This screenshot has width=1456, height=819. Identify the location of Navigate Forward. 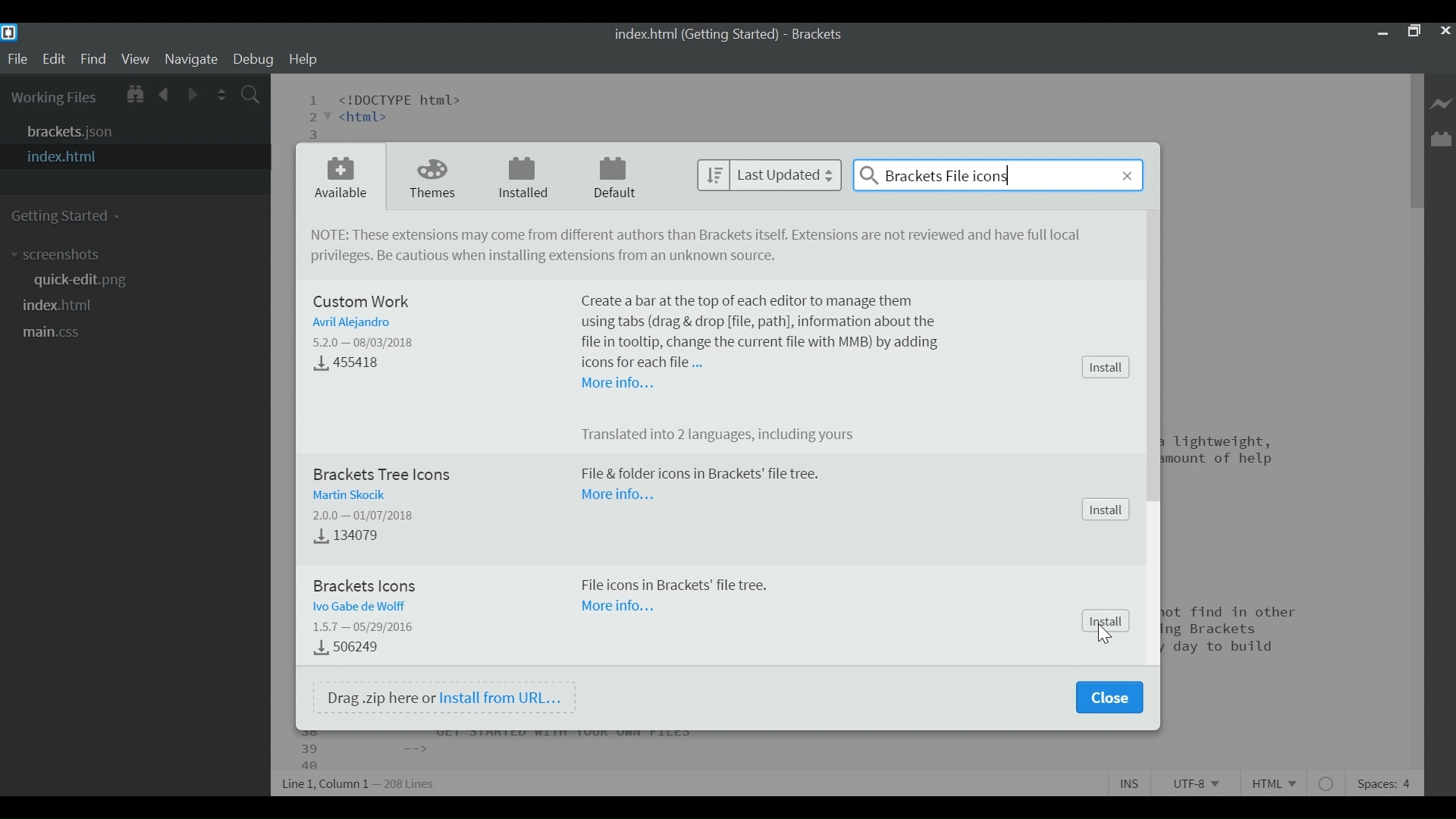
(192, 93).